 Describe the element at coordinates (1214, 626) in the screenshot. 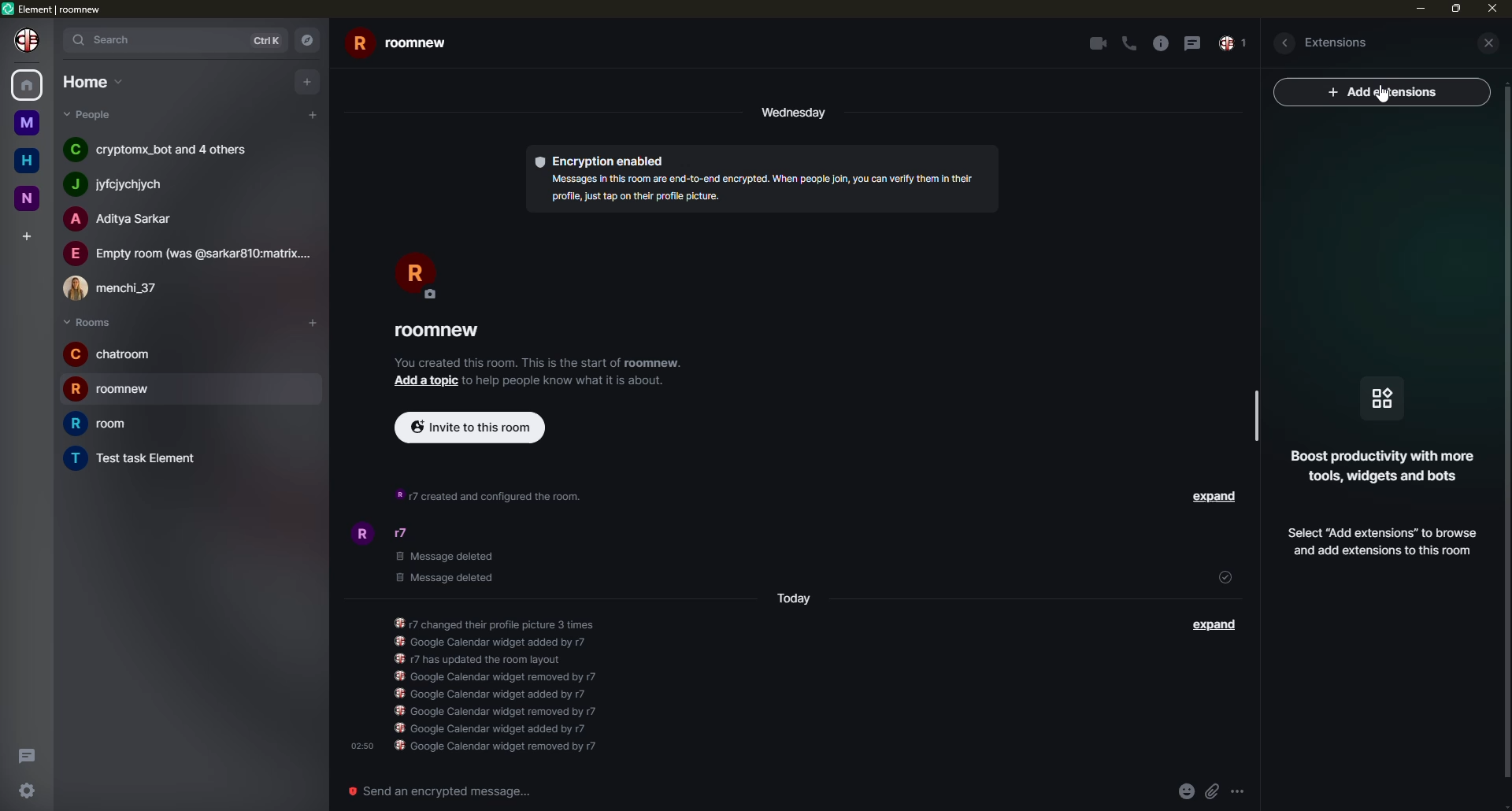

I see `expand` at that location.